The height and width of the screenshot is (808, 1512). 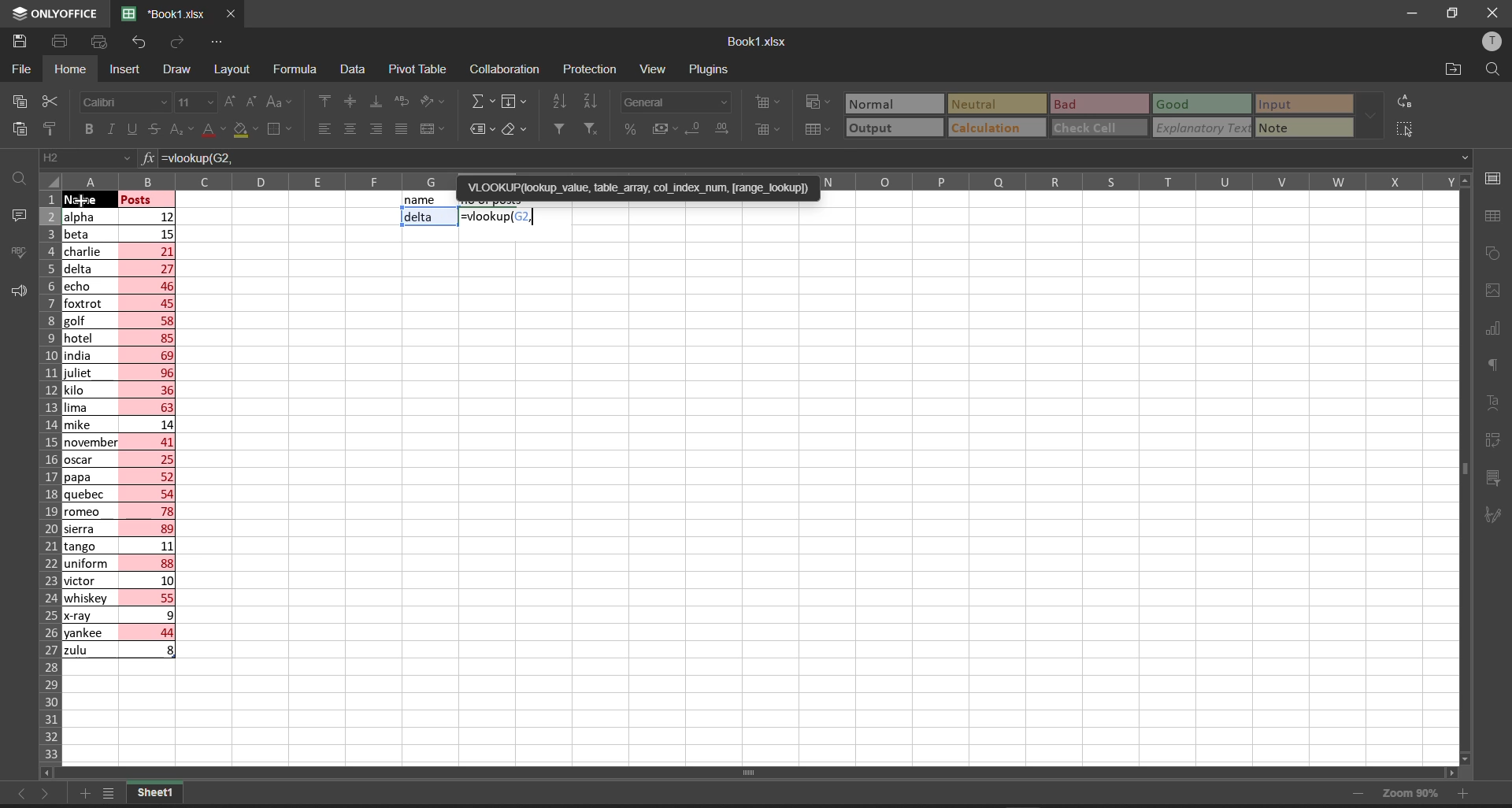 What do you see at coordinates (84, 159) in the screenshot?
I see `cell address` at bounding box center [84, 159].